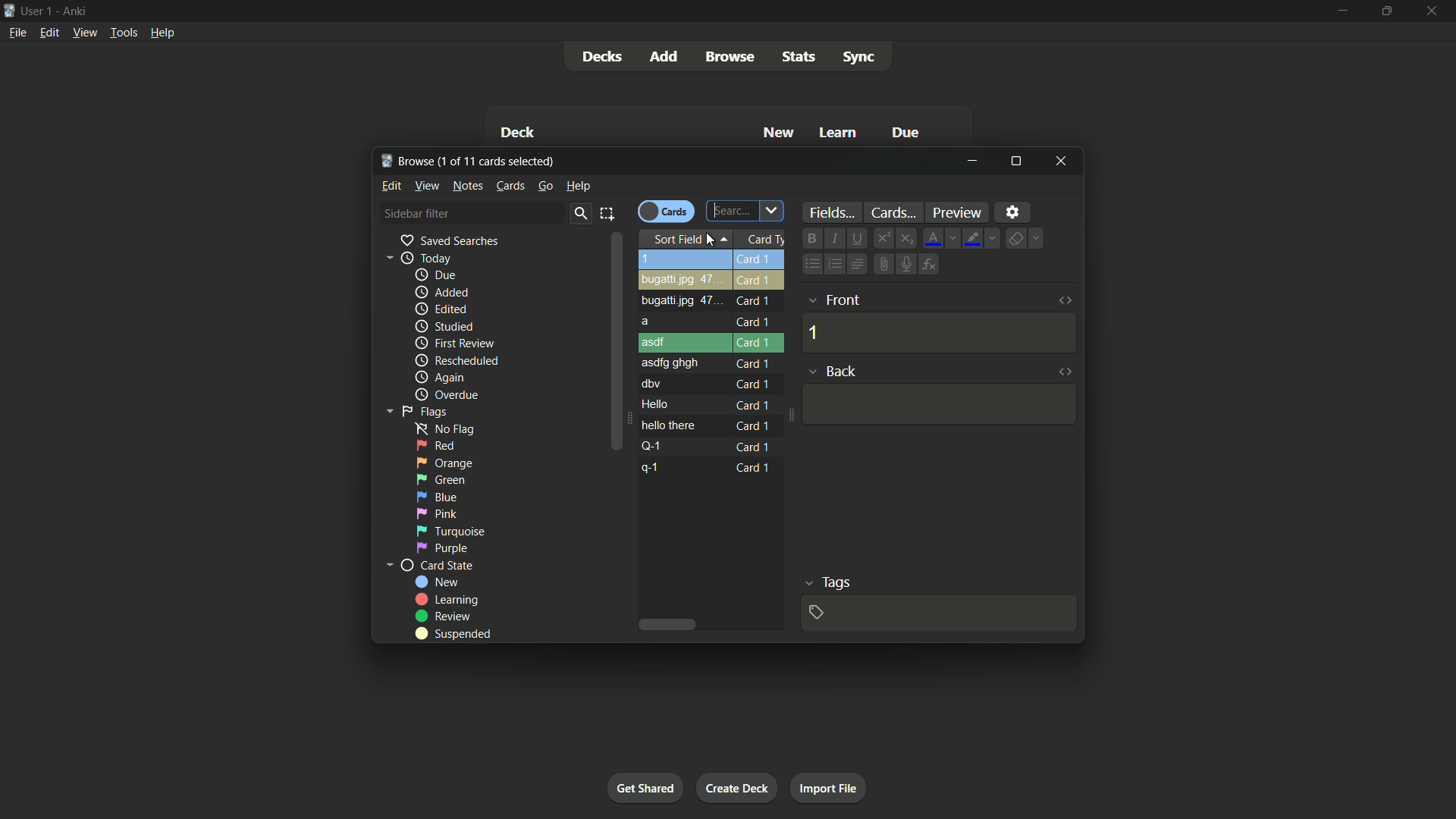 This screenshot has width=1456, height=819. I want to click on stats, so click(799, 56).